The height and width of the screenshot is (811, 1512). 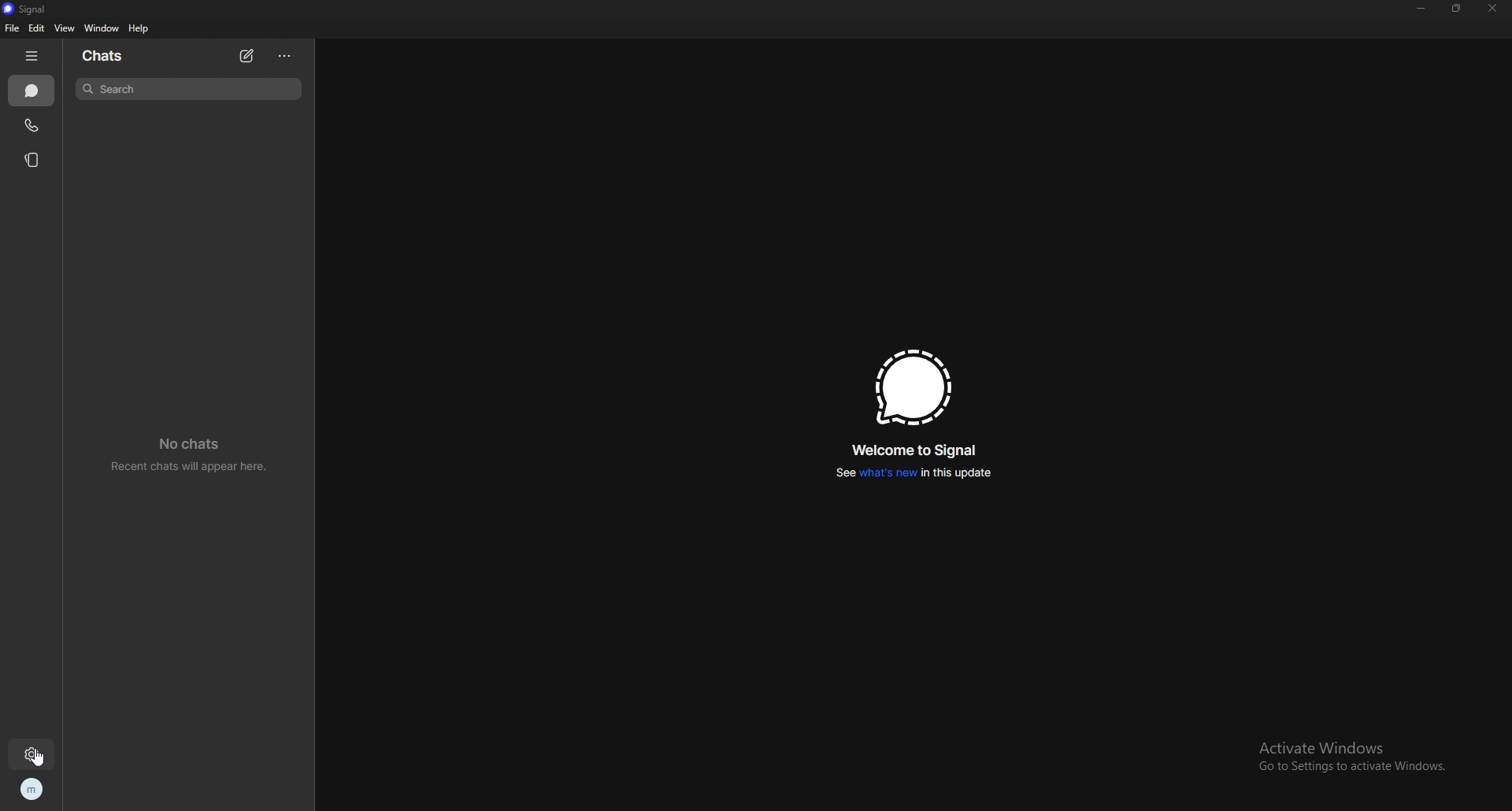 What do you see at coordinates (34, 754) in the screenshot?
I see `settings` at bounding box center [34, 754].